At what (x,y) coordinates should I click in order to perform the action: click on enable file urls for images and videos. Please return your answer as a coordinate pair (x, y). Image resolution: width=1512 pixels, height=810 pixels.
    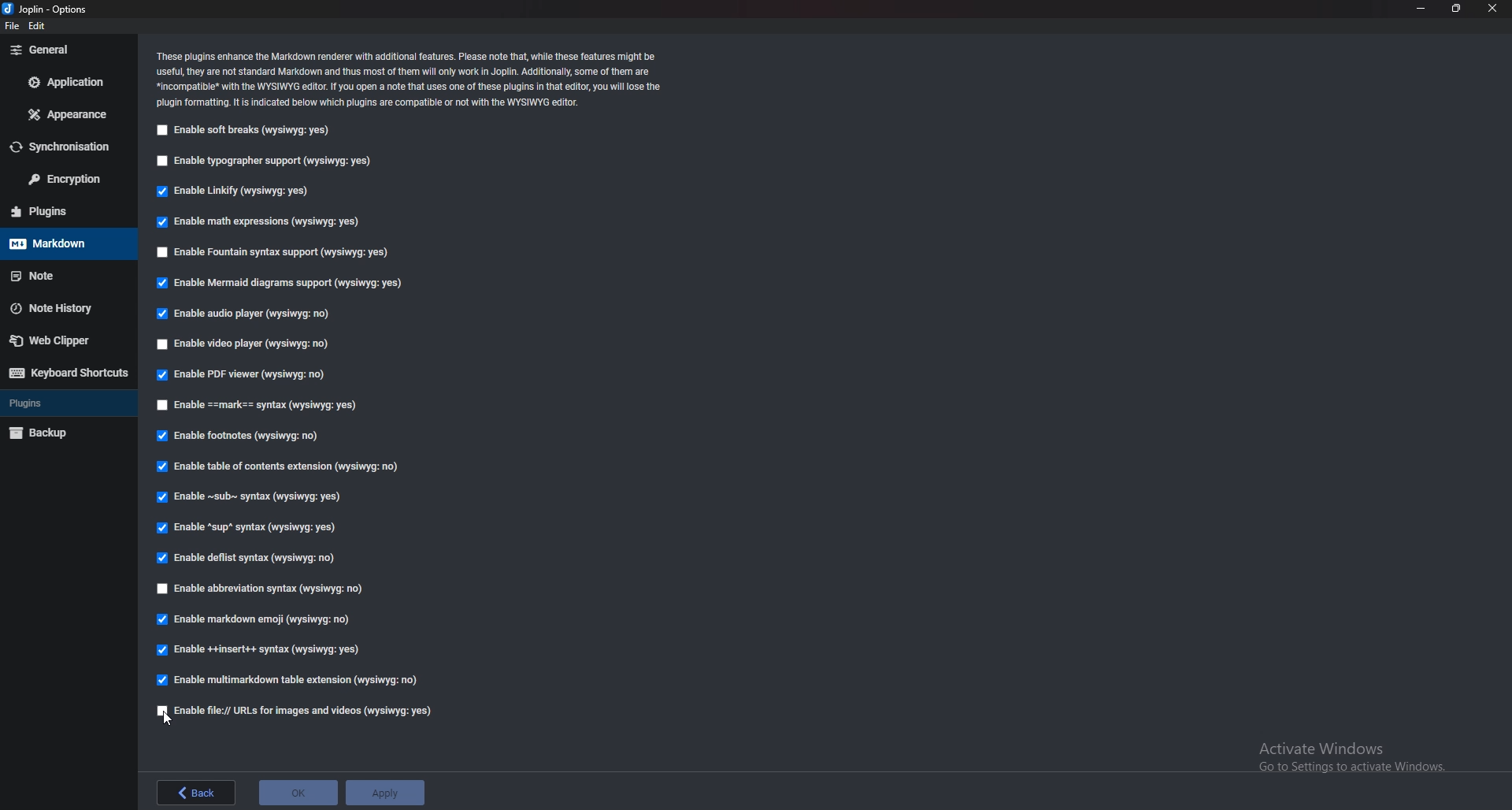
    Looking at the image, I should click on (296, 712).